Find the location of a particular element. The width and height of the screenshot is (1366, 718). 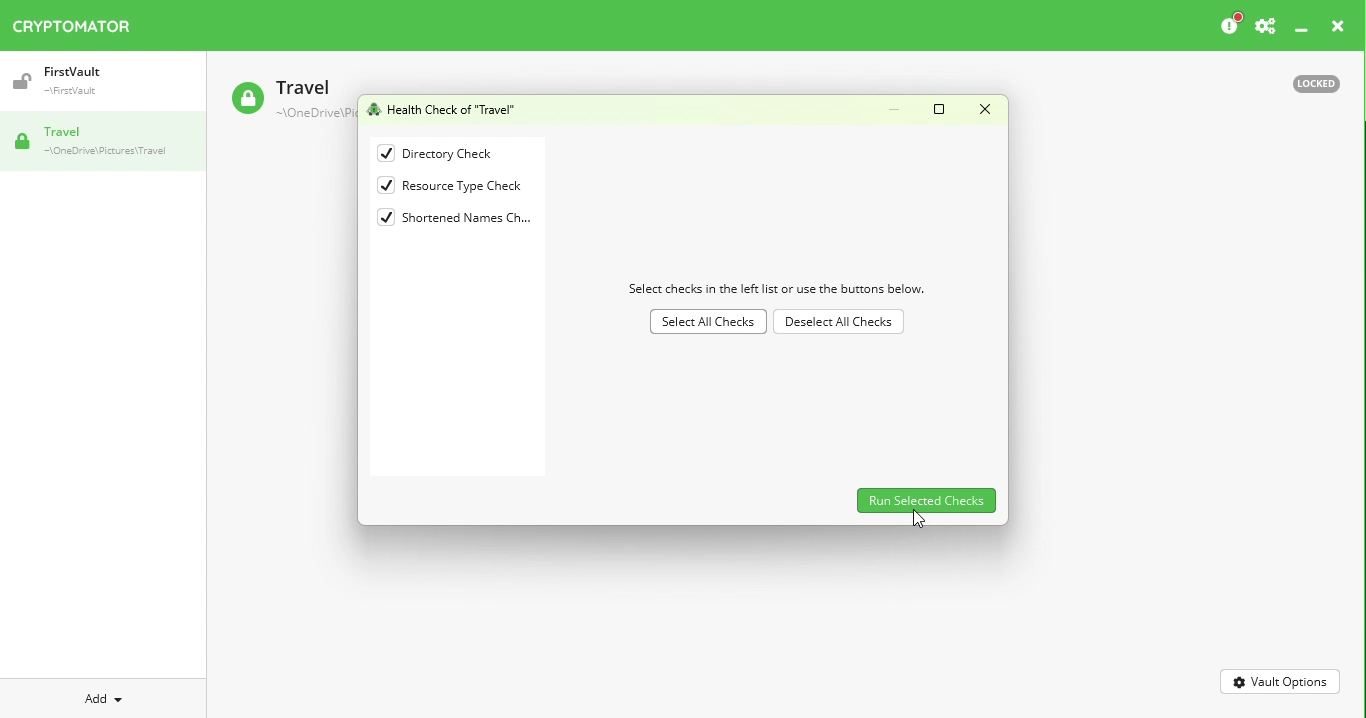

Resource type check is located at coordinates (472, 186).